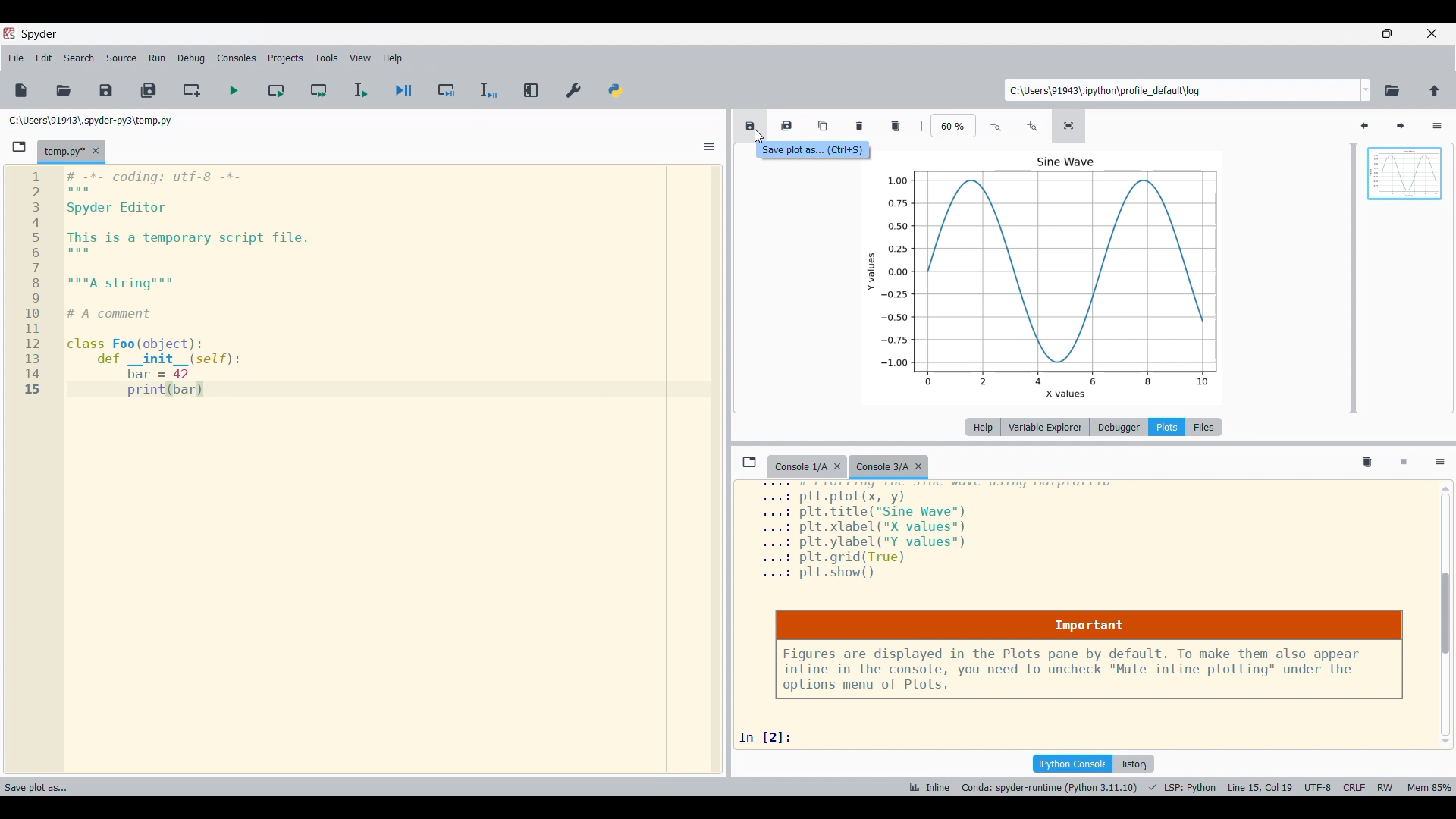 The image size is (1456, 819). Describe the element at coordinates (1445, 615) in the screenshot. I see `Vertical slide bar` at that location.